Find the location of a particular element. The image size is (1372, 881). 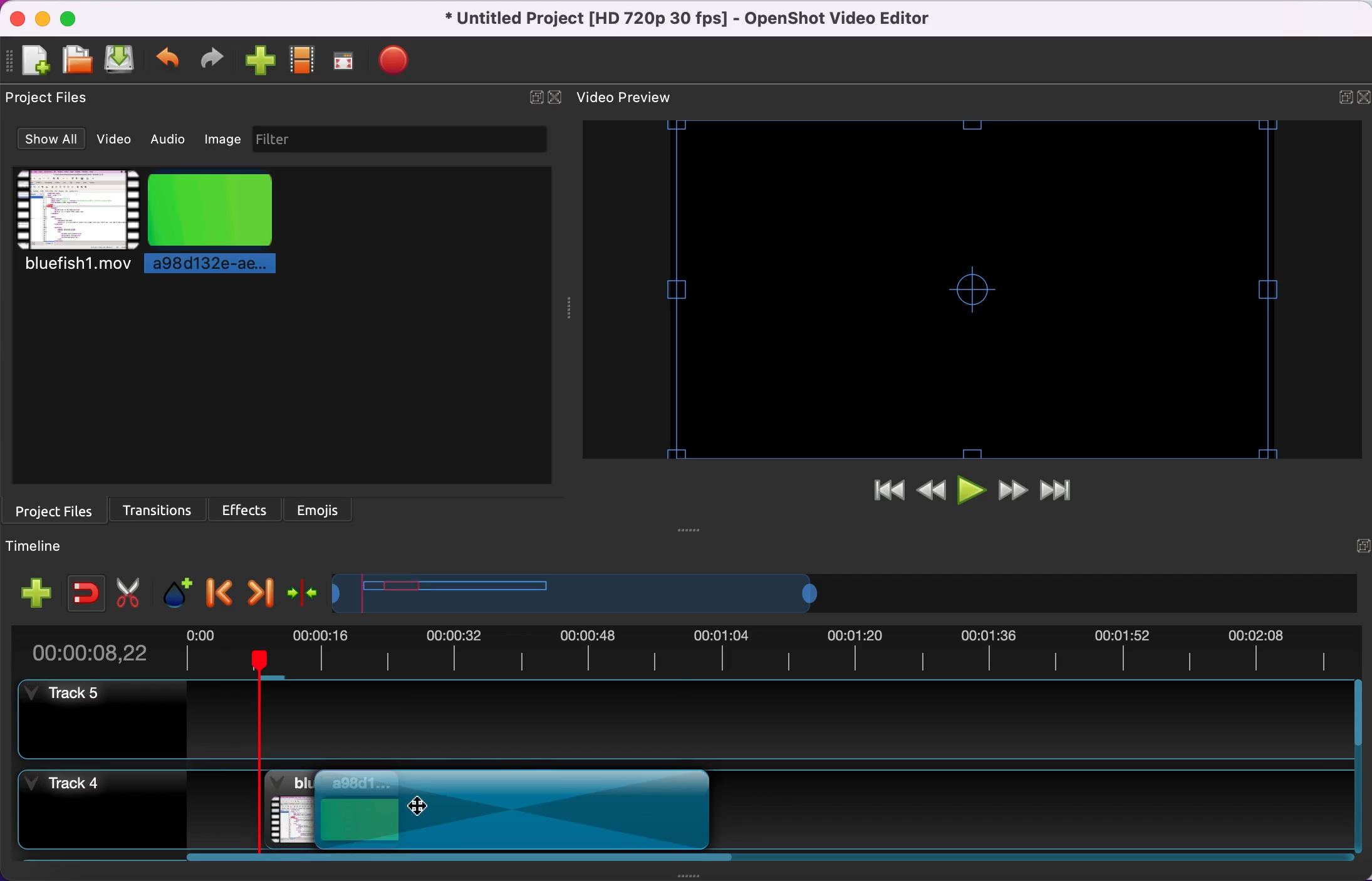

fast forward is located at coordinates (1016, 493).